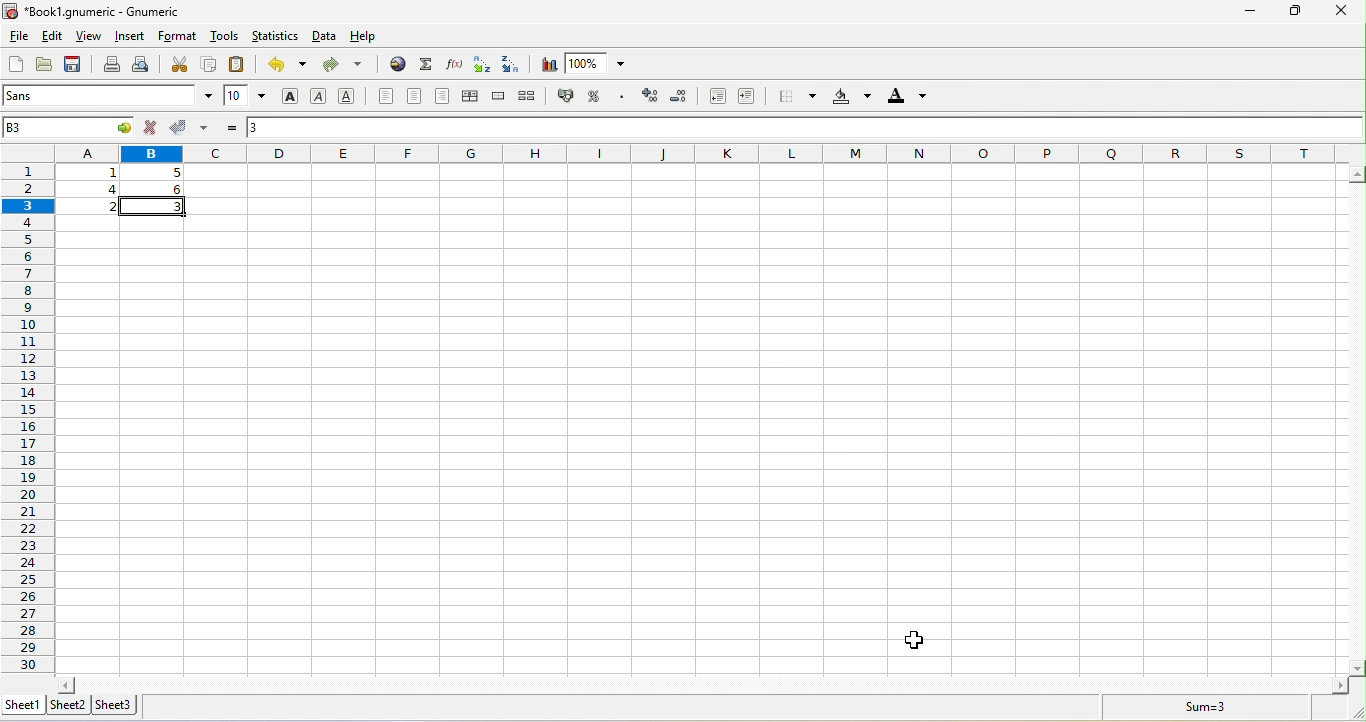  I want to click on undo, so click(286, 68).